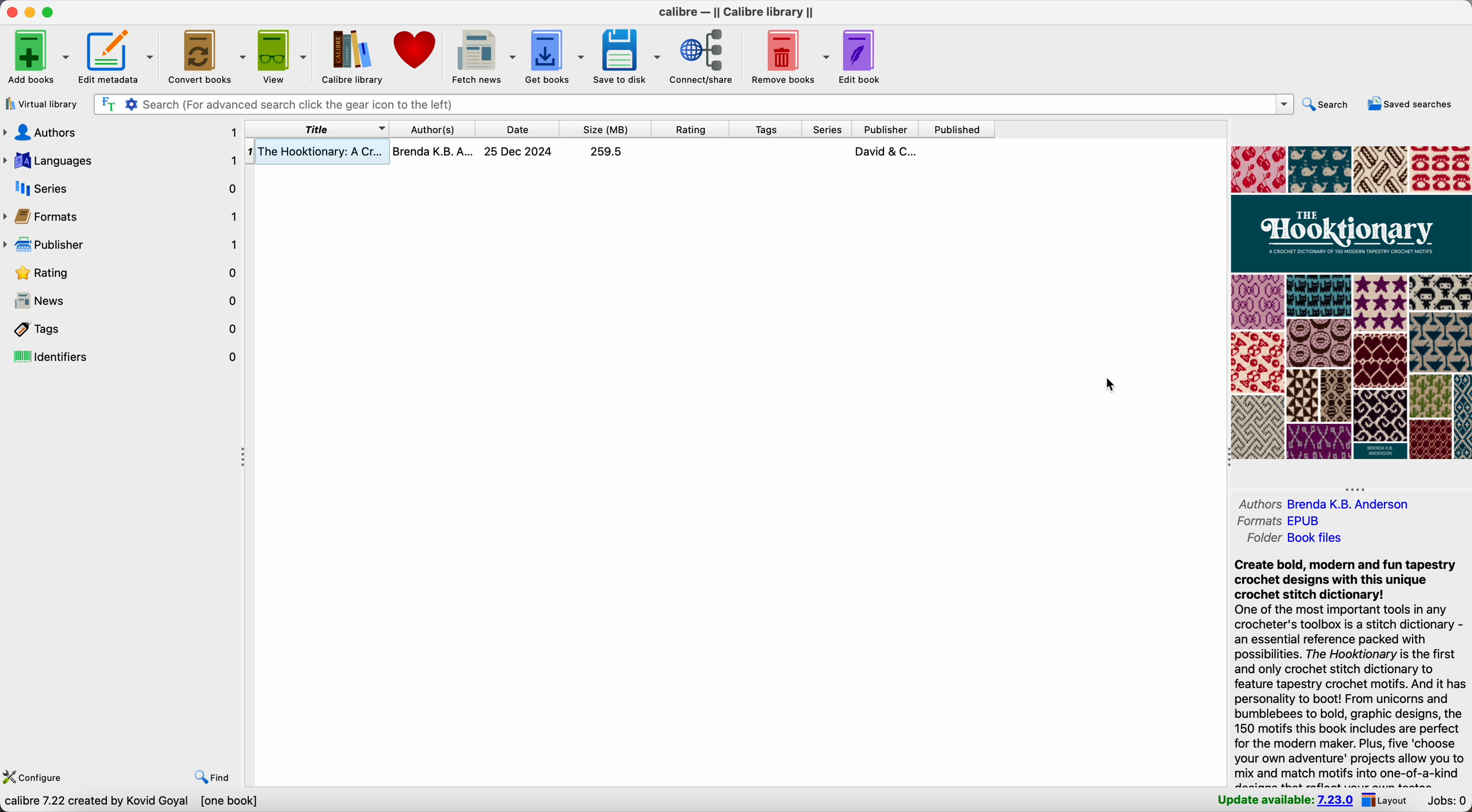 This screenshot has height=812, width=1472. Describe the element at coordinates (318, 129) in the screenshot. I see `title` at that location.